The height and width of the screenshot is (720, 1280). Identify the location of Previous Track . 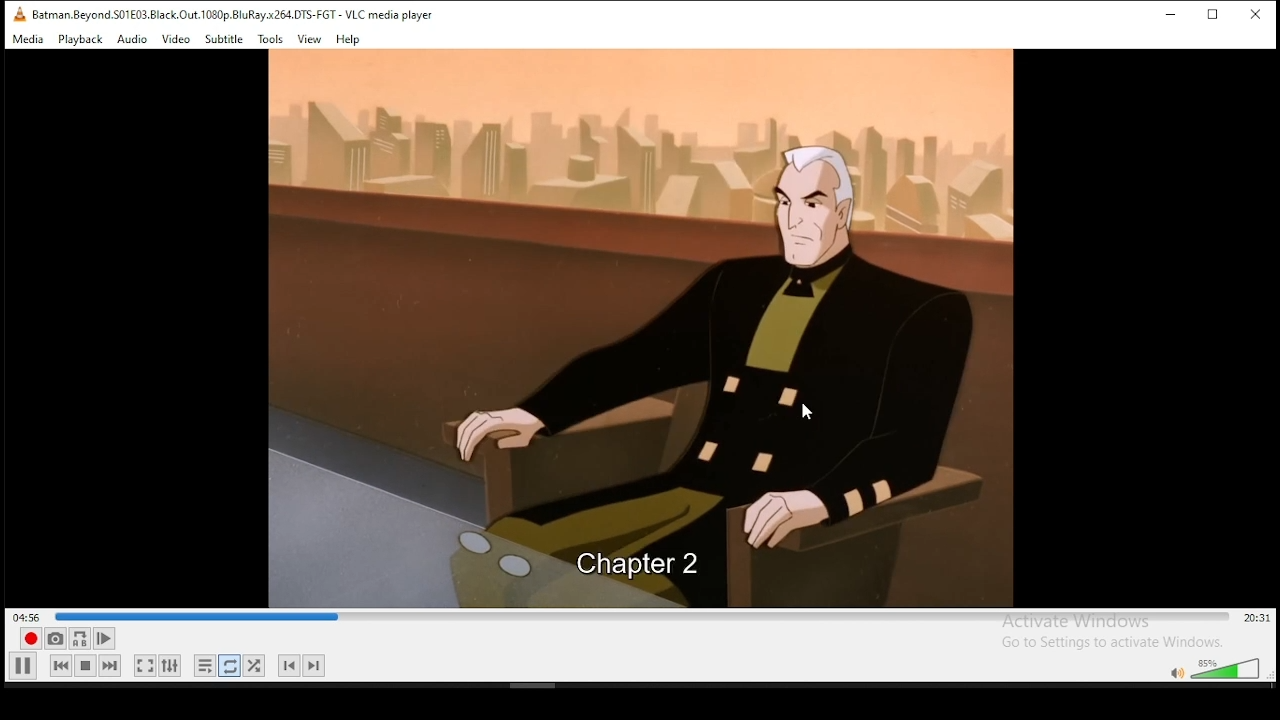
(288, 665).